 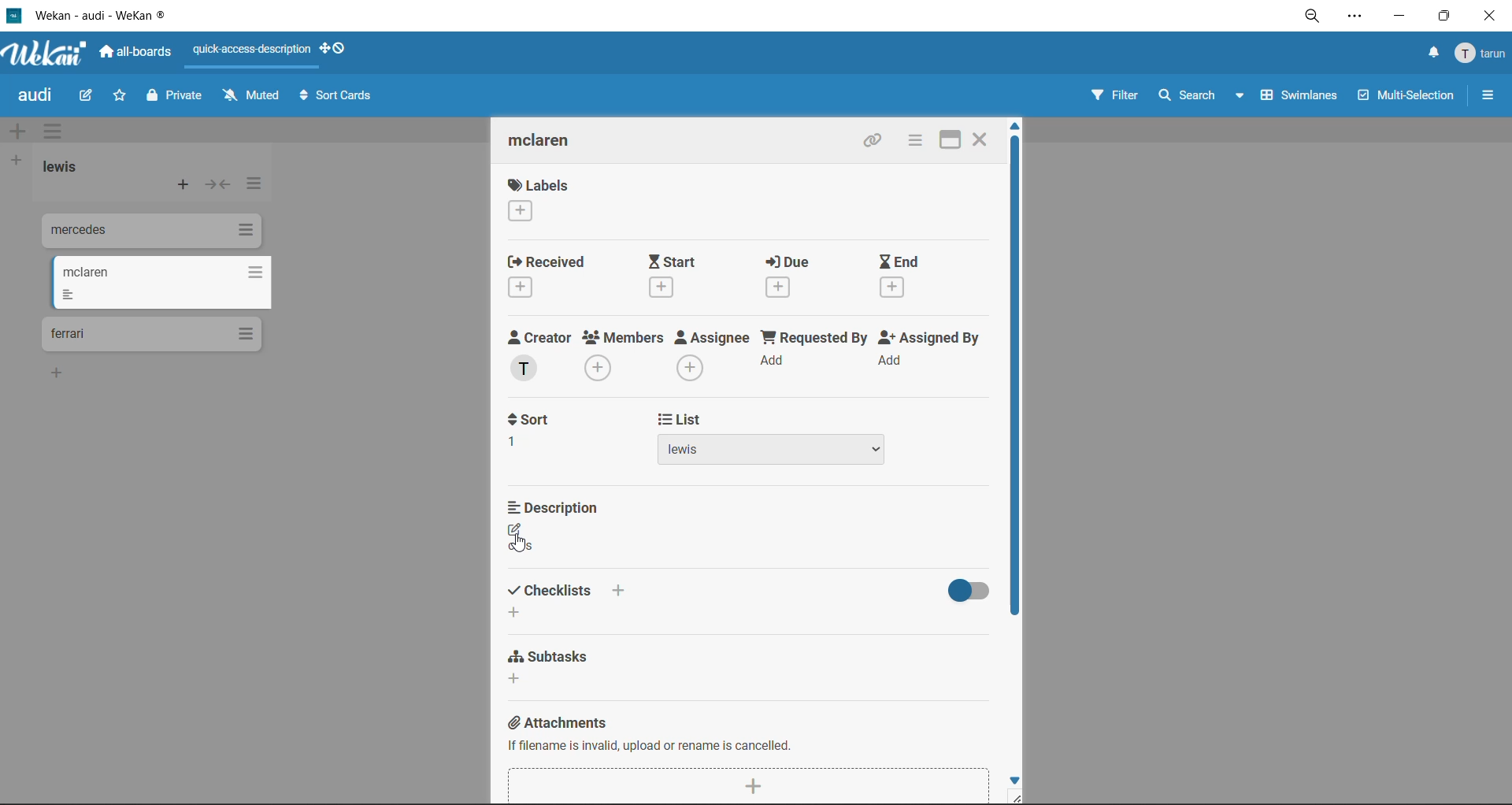 What do you see at coordinates (954, 138) in the screenshot?
I see `maximize` at bounding box center [954, 138].